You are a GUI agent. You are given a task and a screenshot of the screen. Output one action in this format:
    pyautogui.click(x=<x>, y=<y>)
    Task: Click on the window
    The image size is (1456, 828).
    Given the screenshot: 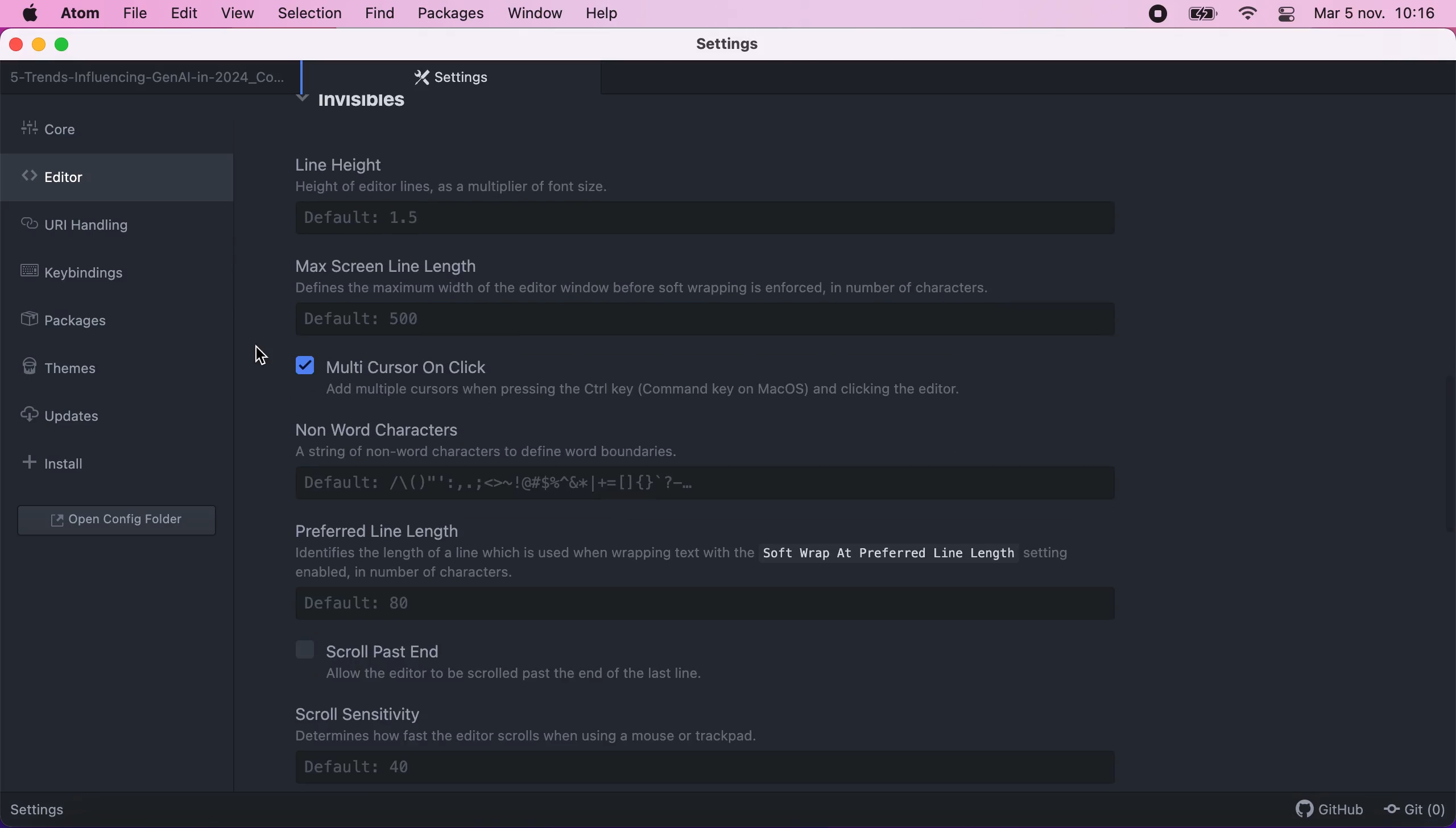 What is the action you would take?
    pyautogui.click(x=536, y=13)
    